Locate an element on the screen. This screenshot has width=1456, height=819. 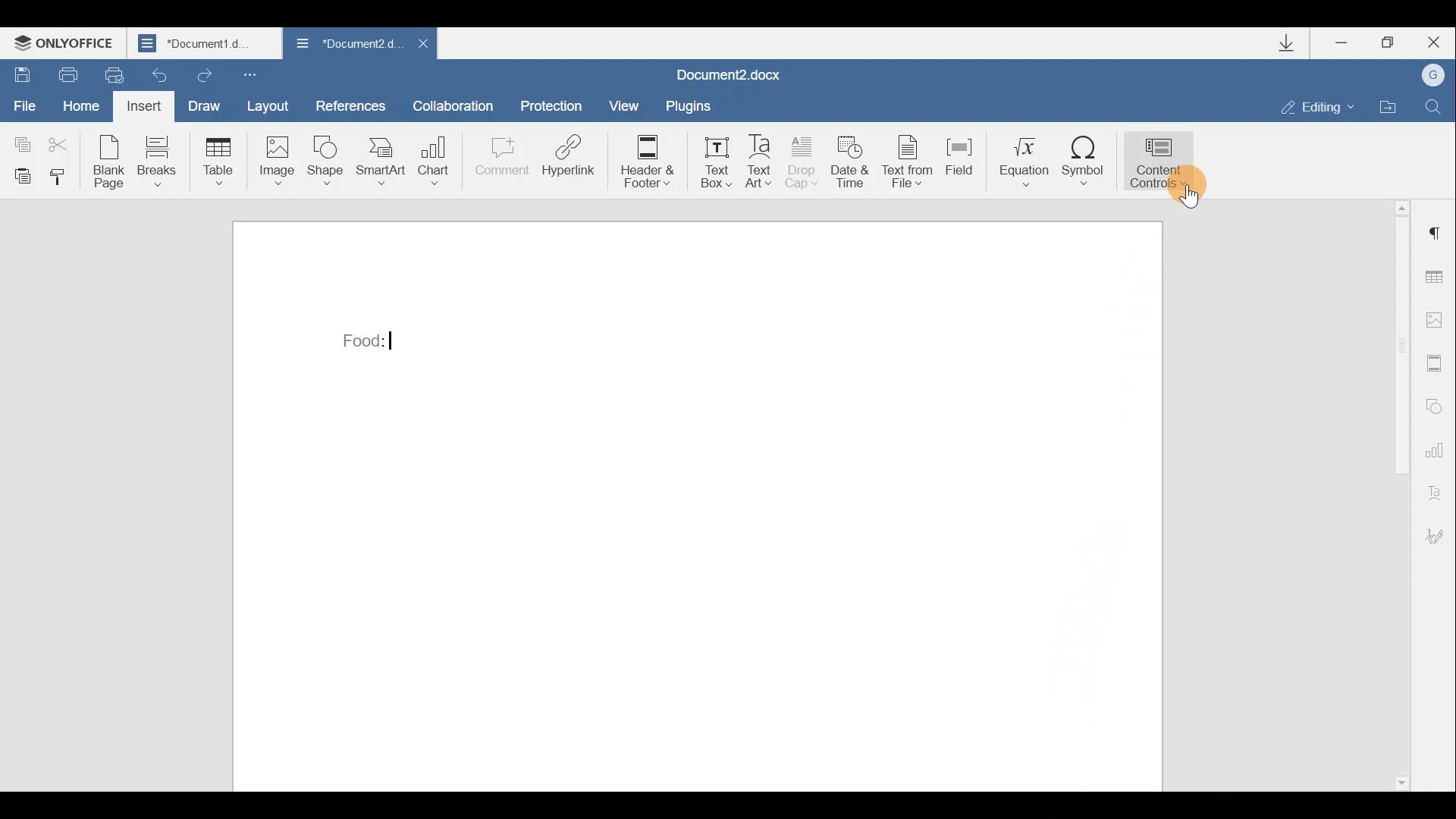
View is located at coordinates (625, 105).